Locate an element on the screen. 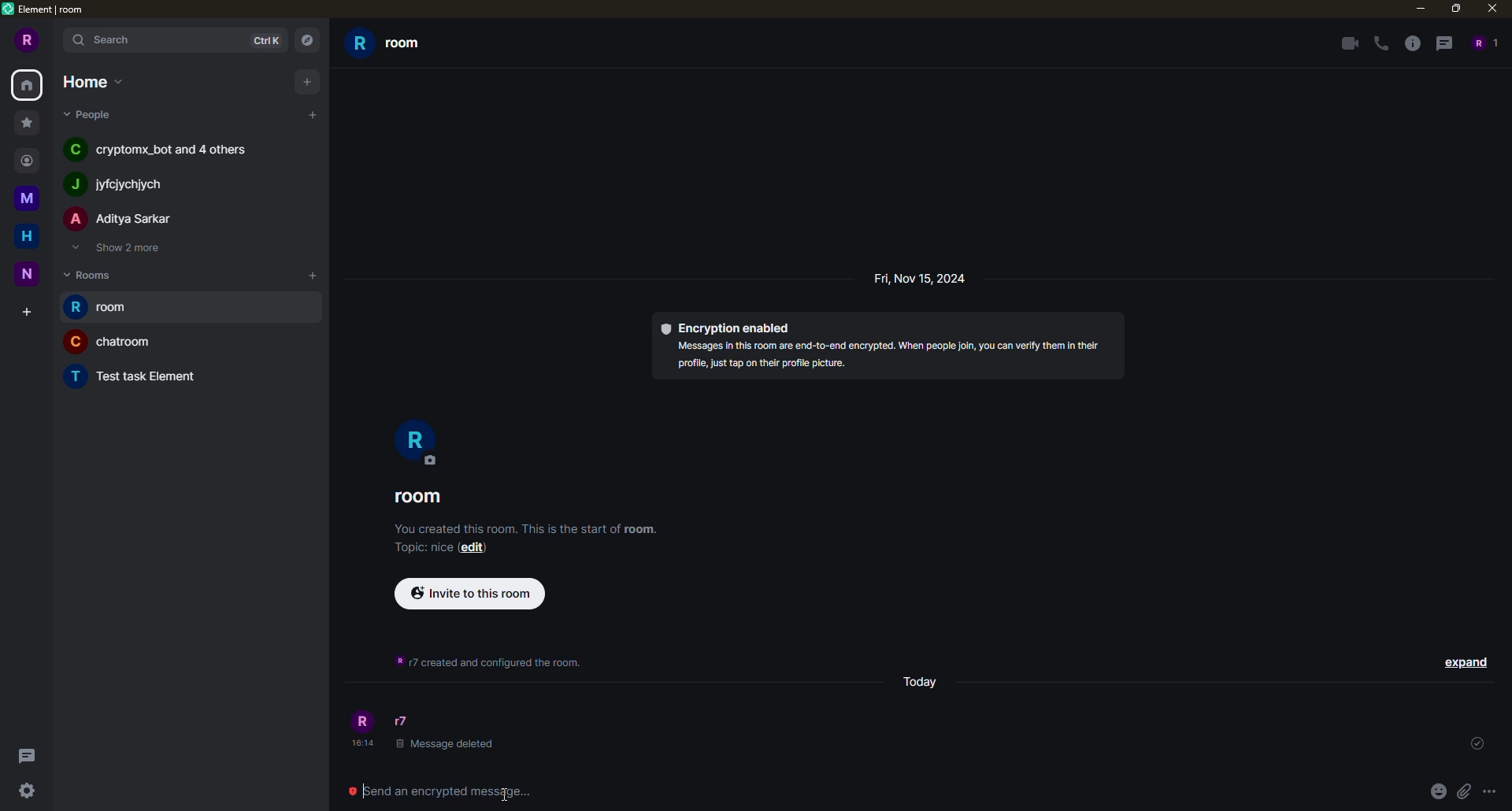 Image resolution: width=1512 pixels, height=811 pixels. maximize is located at coordinates (1456, 9).